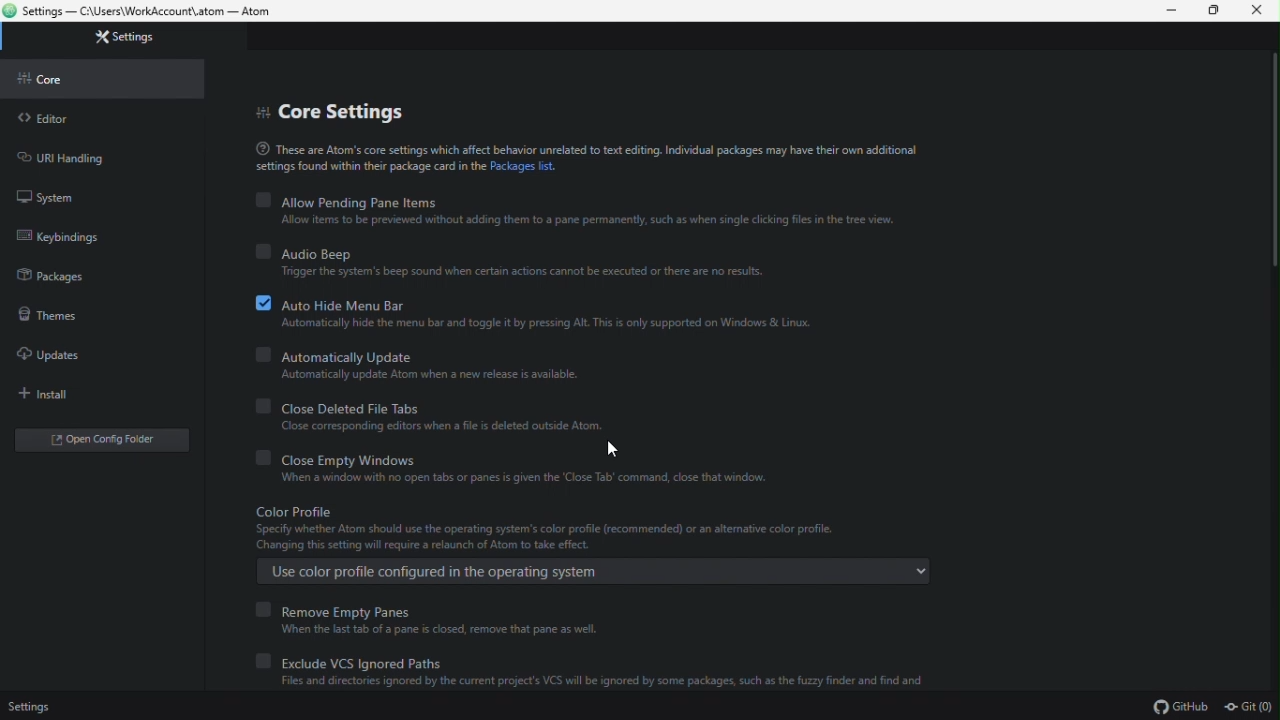  I want to click on Color profile Specify whether Atom should use the operating system's color profile (recommended) or an alternative color profile. Changing this setting will require a relaunch of Atom to take effect., so click(580, 528).